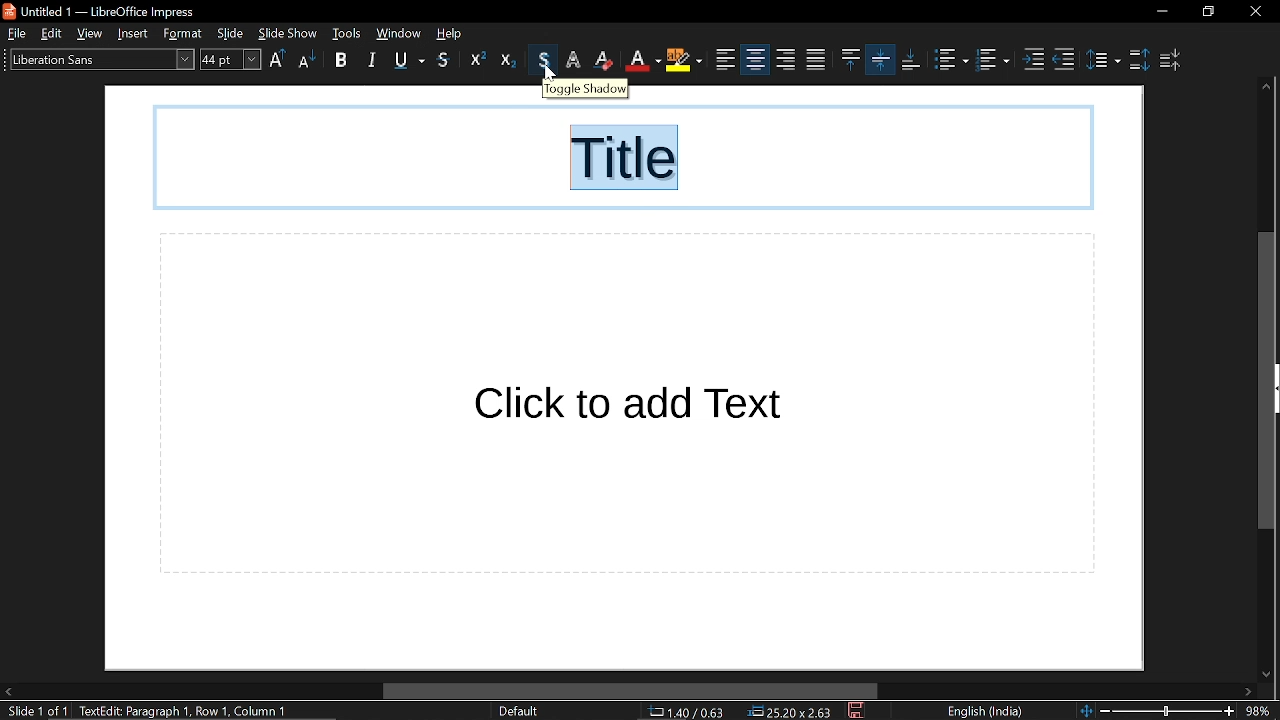  Describe the element at coordinates (995, 62) in the screenshot. I see `toggle ordered list` at that location.